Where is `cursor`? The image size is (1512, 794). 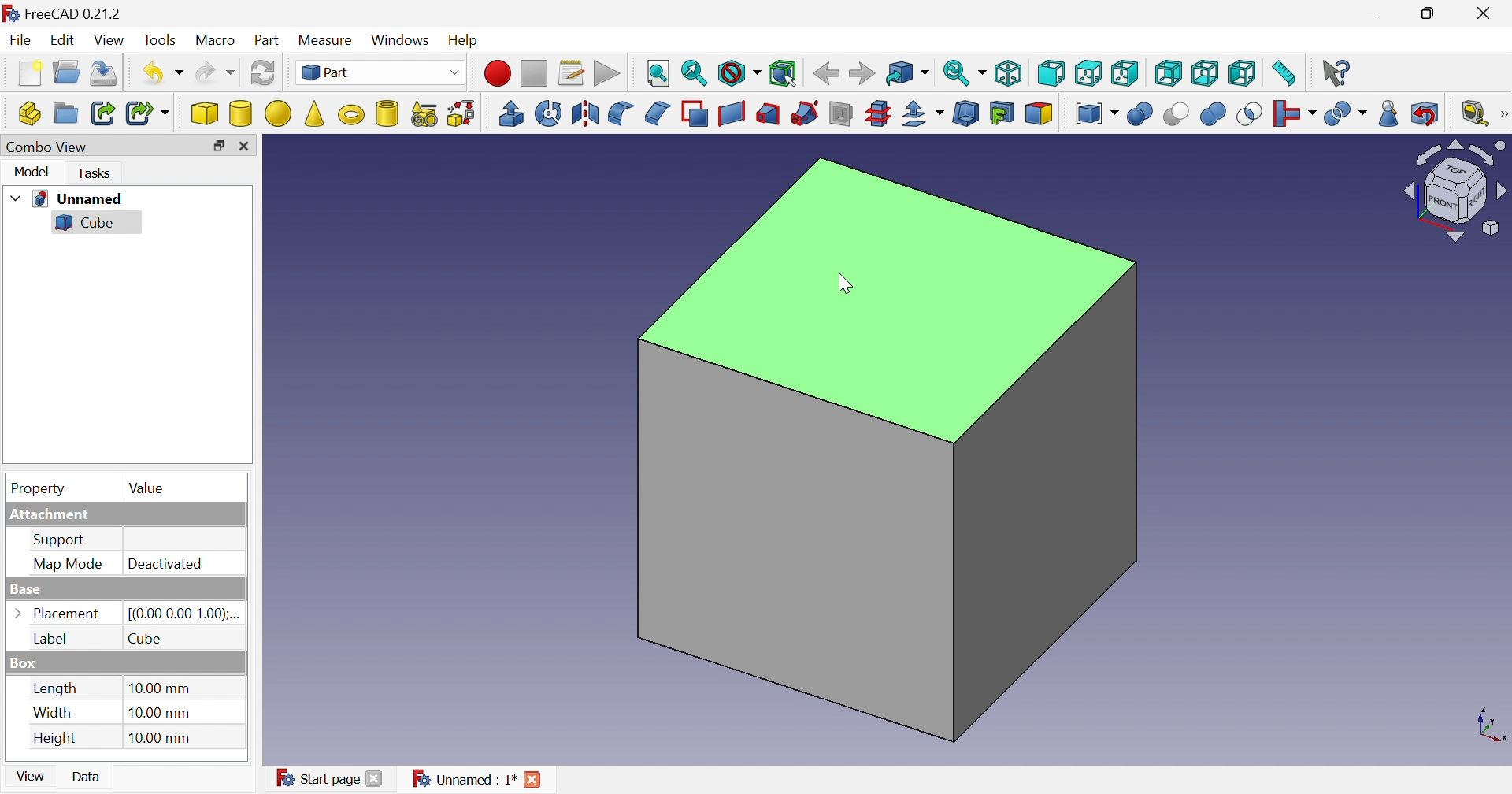
cursor is located at coordinates (846, 284).